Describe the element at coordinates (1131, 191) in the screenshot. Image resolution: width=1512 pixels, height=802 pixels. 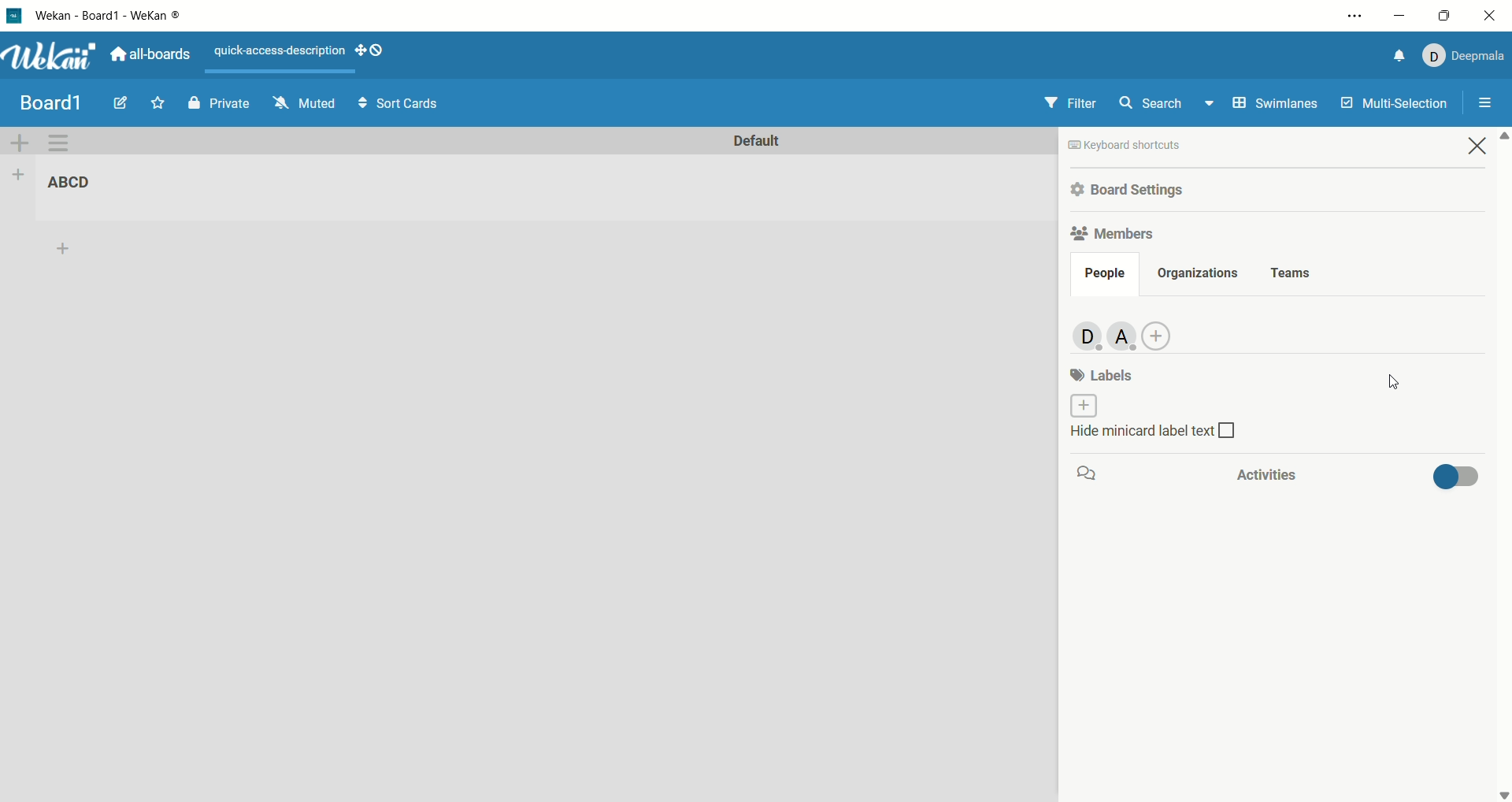
I see `board settings` at that location.